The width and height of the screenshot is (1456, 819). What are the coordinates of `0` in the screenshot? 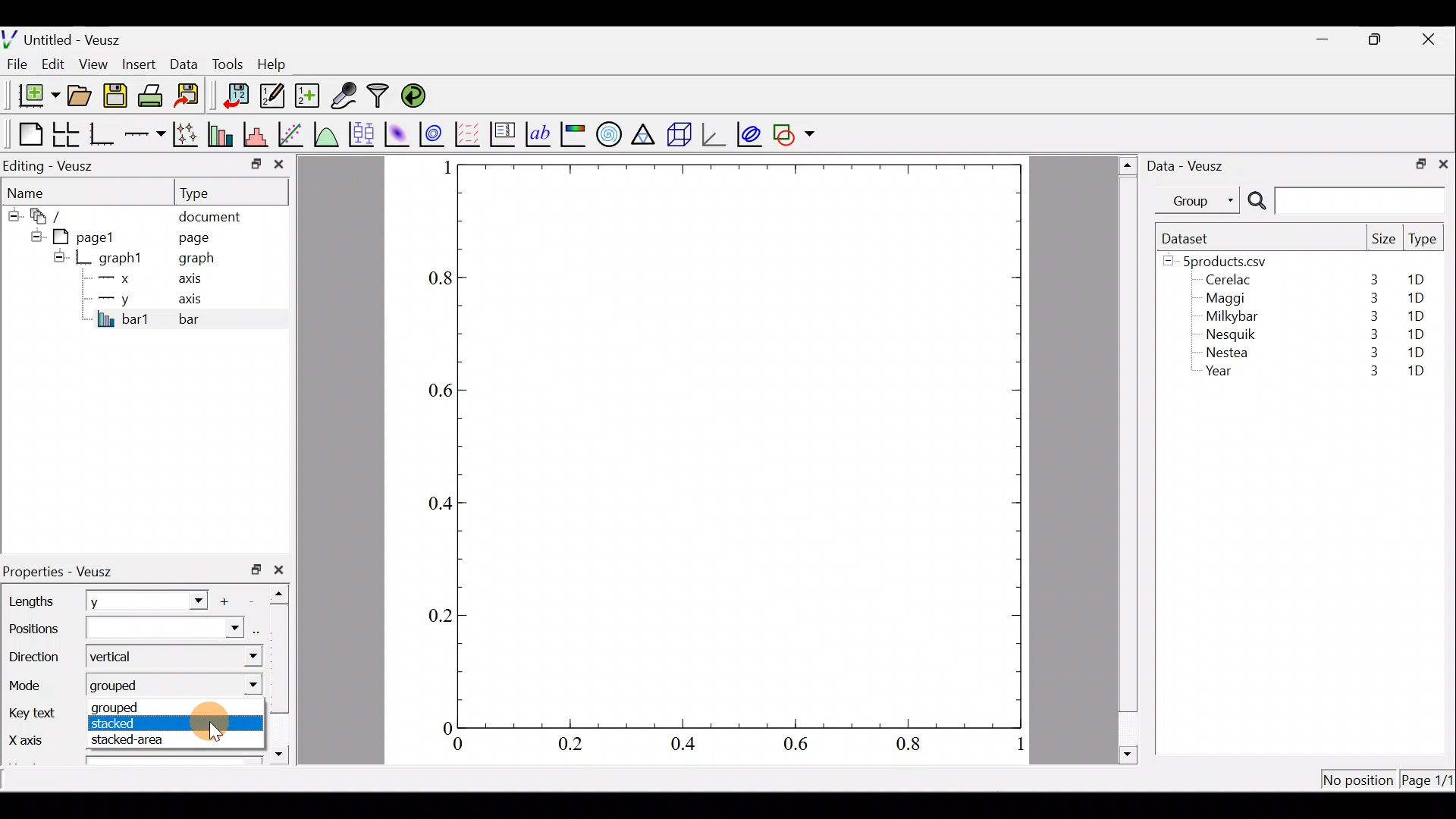 It's located at (445, 727).